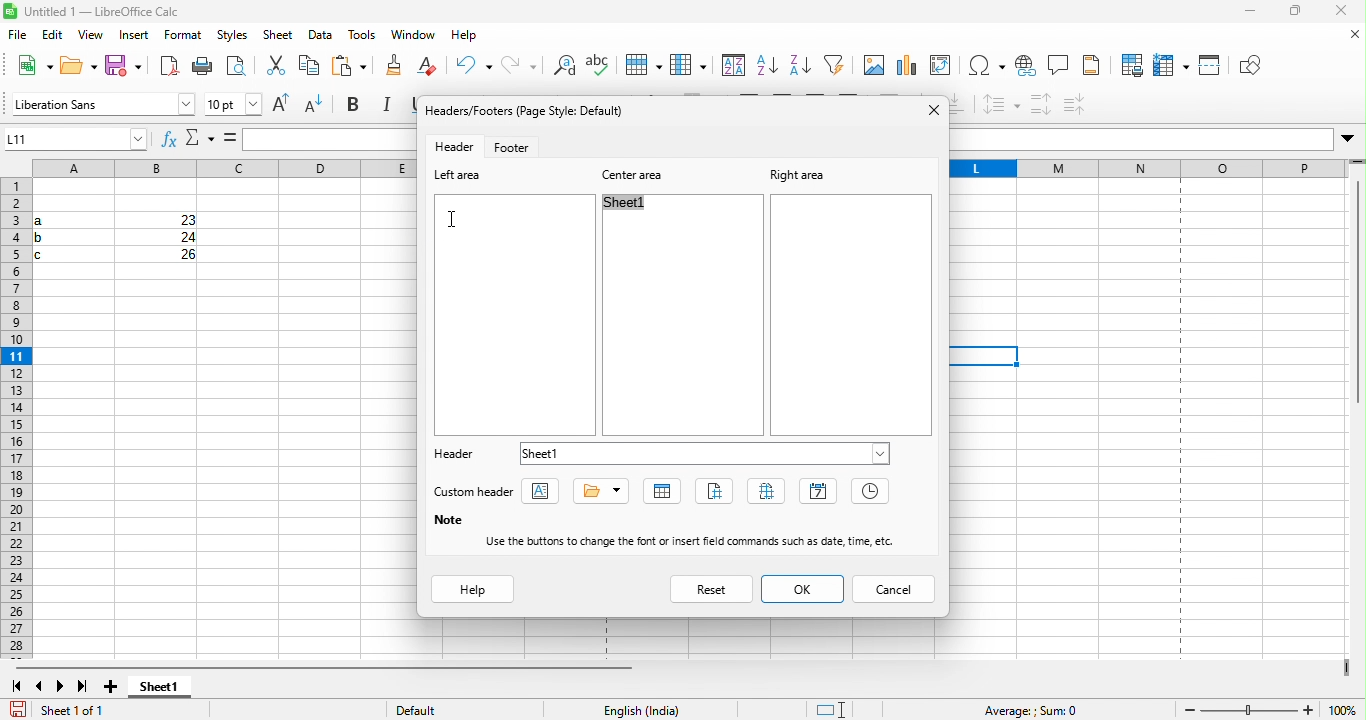 The height and width of the screenshot is (720, 1366). What do you see at coordinates (896, 590) in the screenshot?
I see `cancel` at bounding box center [896, 590].